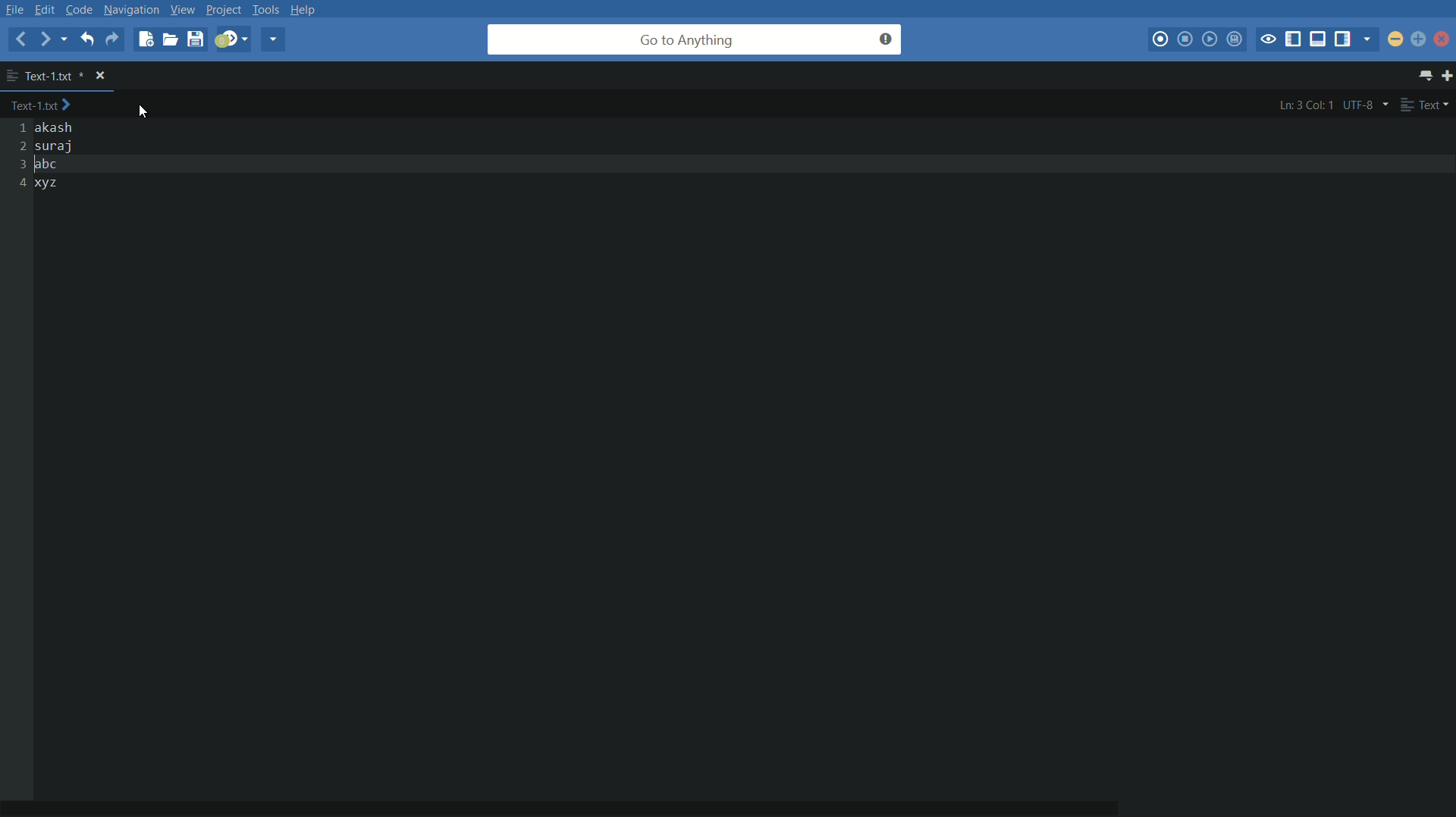 Image resolution: width=1456 pixels, height=817 pixels. What do you see at coordinates (308, 9) in the screenshot?
I see `help ` at bounding box center [308, 9].